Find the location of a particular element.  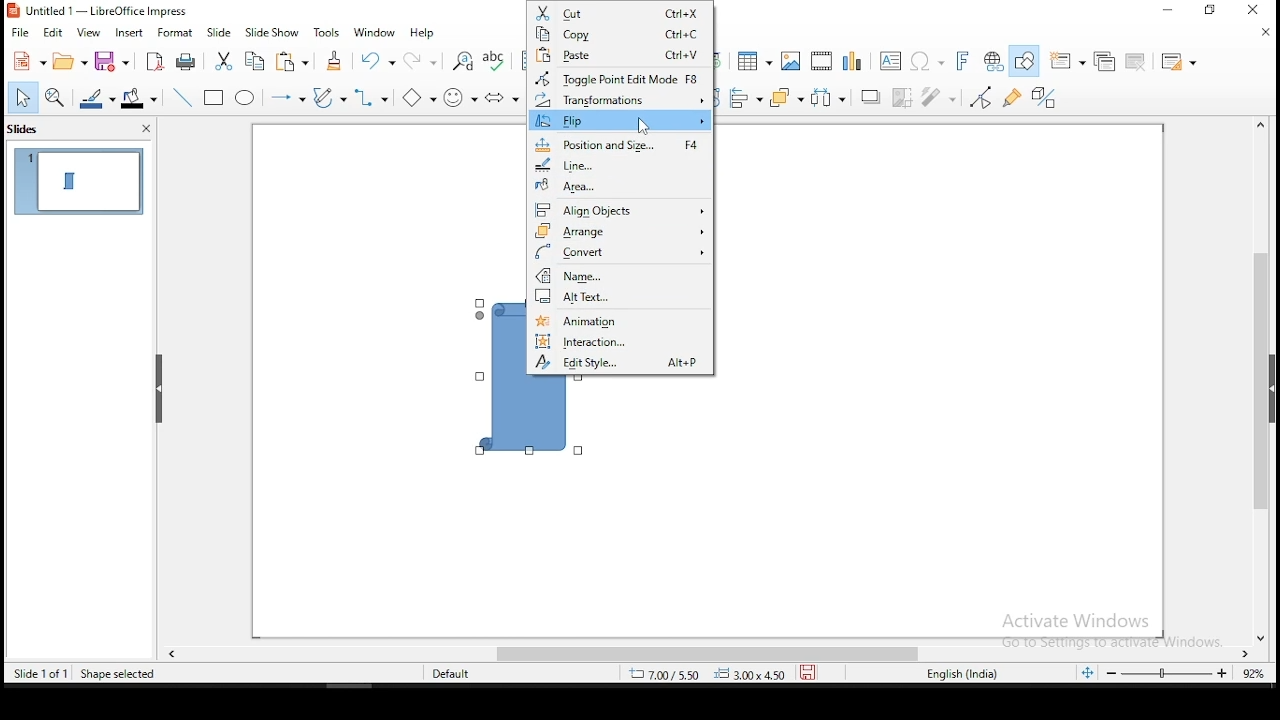

slide 1 is located at coordinates (82, 182).